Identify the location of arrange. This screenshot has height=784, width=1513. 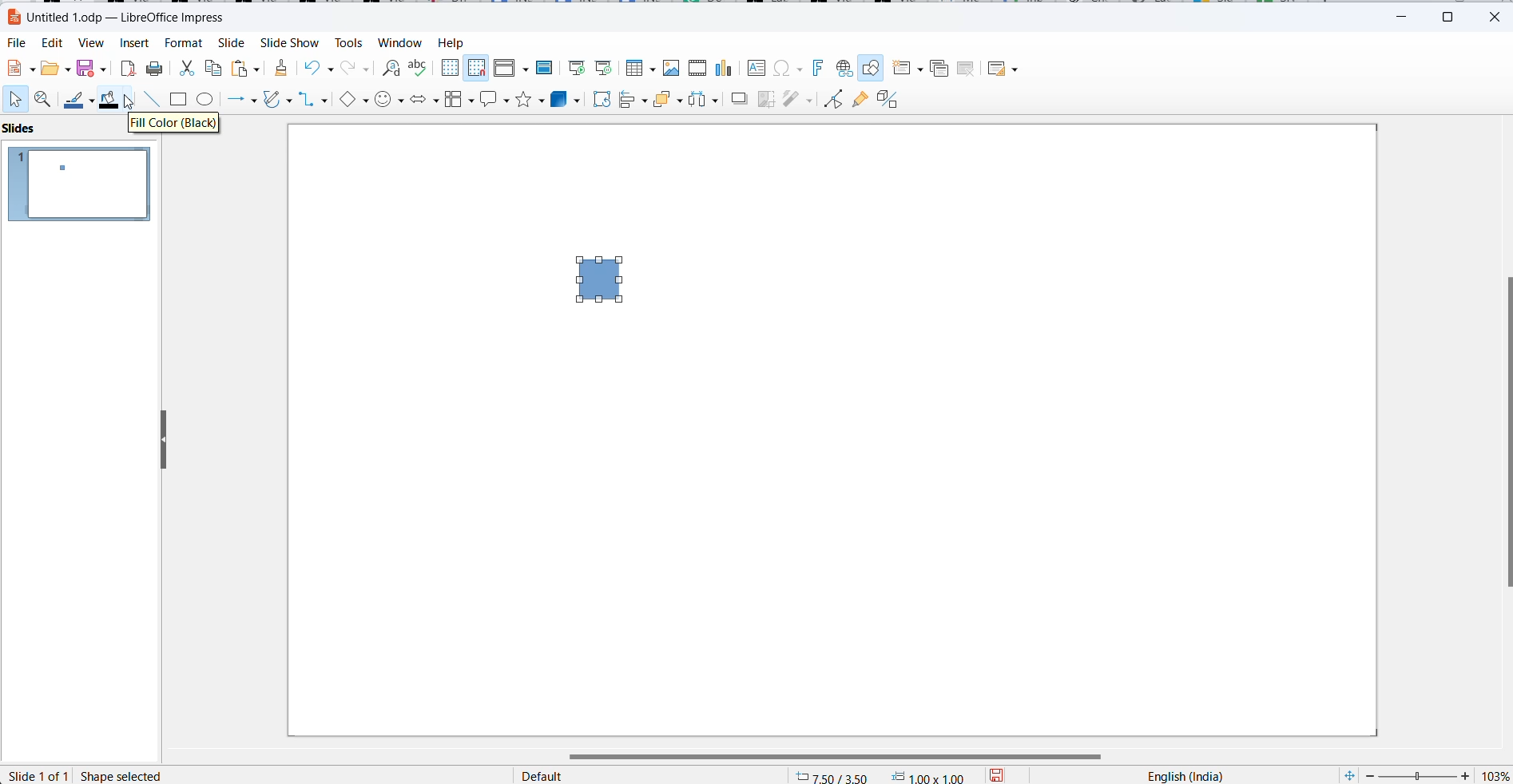
(668, 101).